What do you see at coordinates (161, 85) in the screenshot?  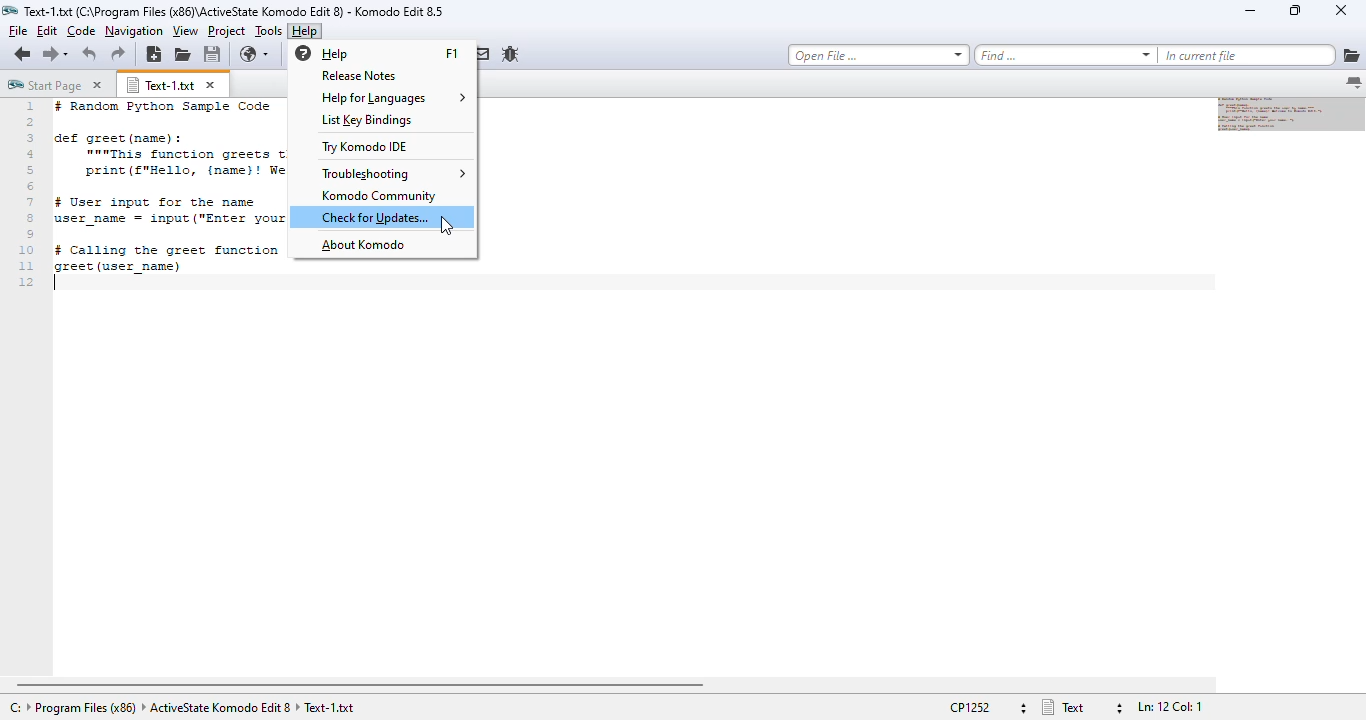 I see `text-1` at bounding box center [161, 85].